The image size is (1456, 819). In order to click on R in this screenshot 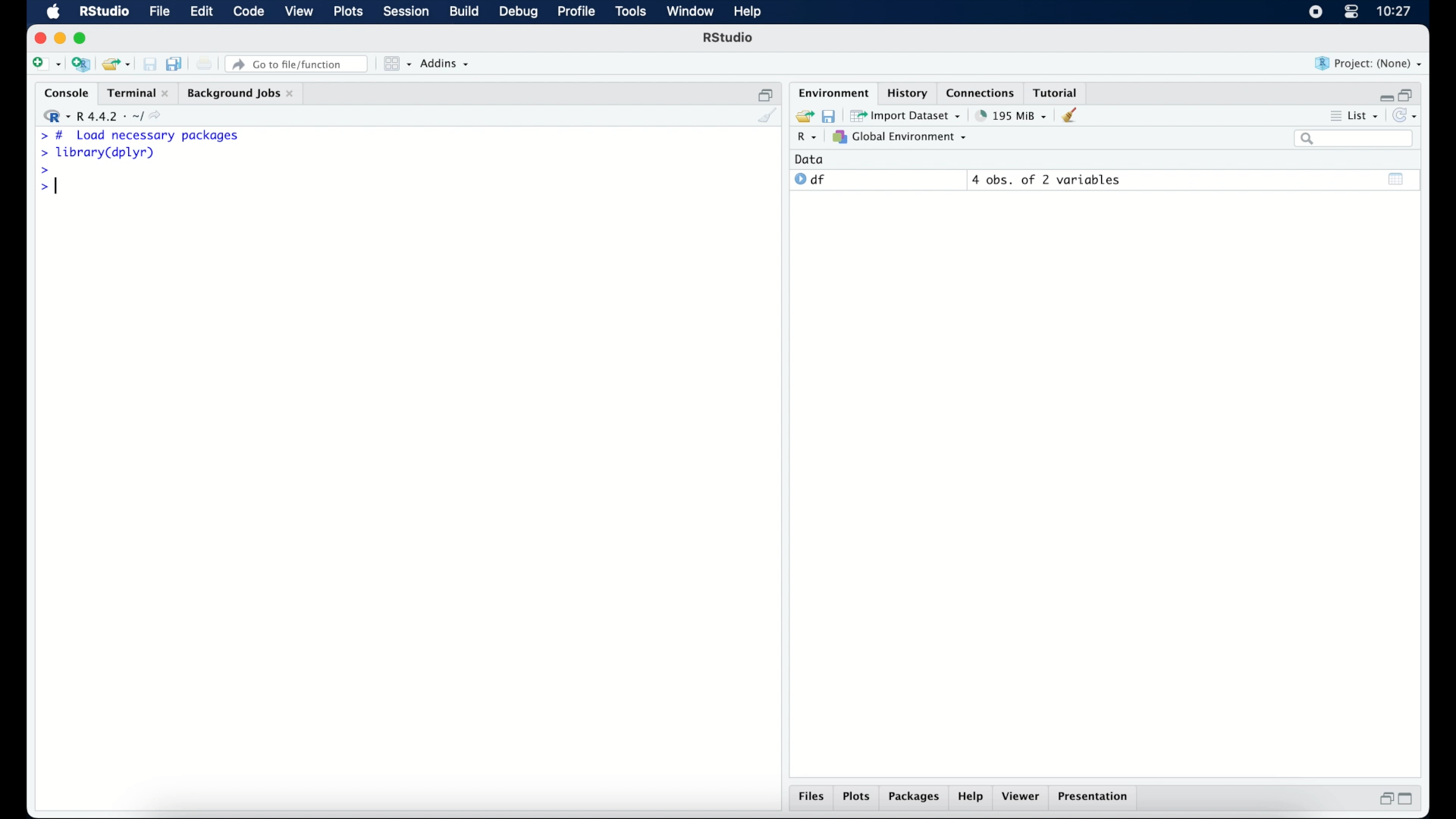, I will do `click(805, 139)`.